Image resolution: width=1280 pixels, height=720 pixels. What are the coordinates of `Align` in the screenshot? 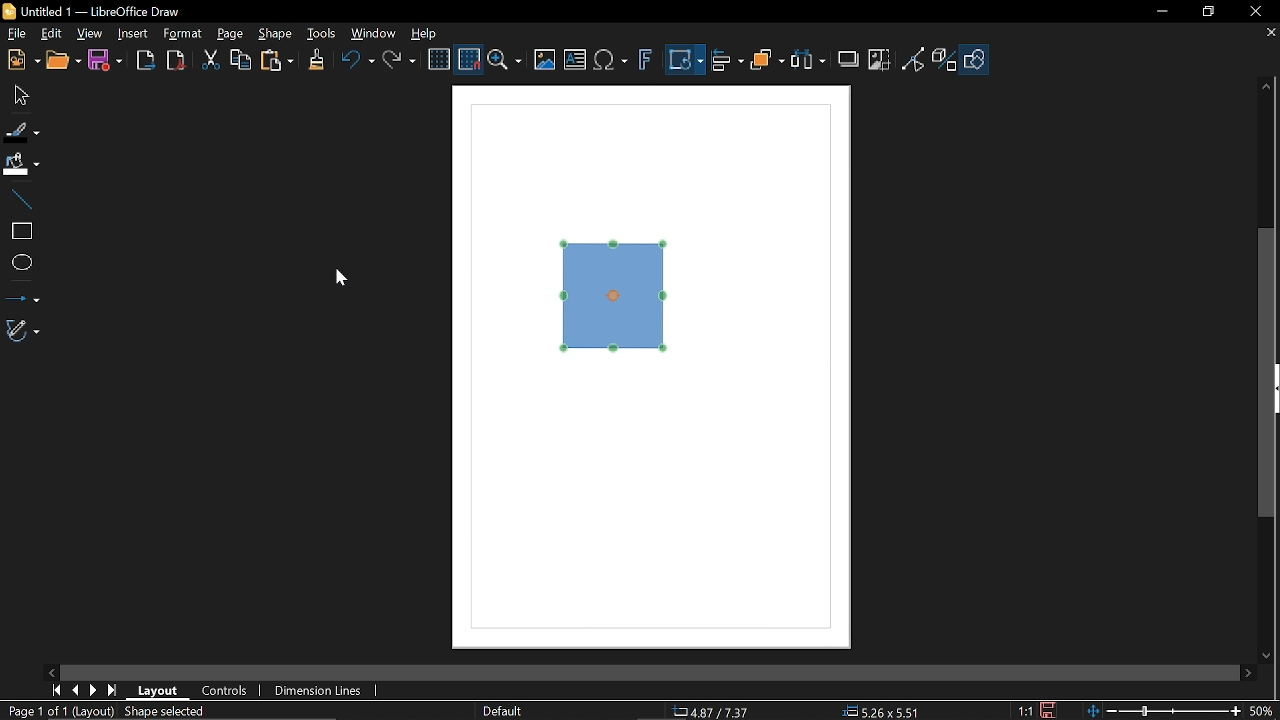 It's located at (727, 60).